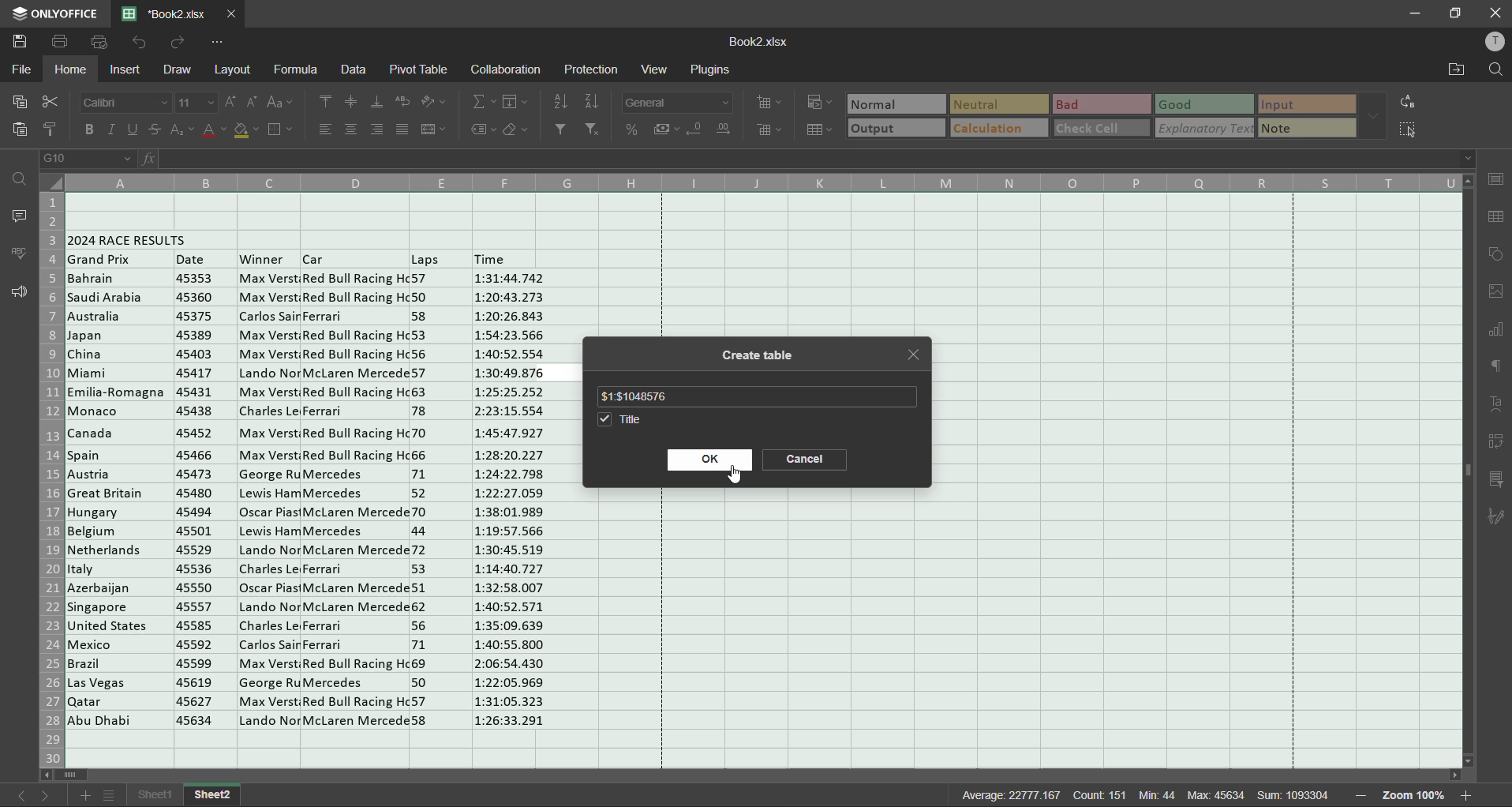 Image resolution: width=1512 pixels, height=807 pixels. Describe the element at coordinates (707, 460) in the screenshot. I see `ok` at that location.